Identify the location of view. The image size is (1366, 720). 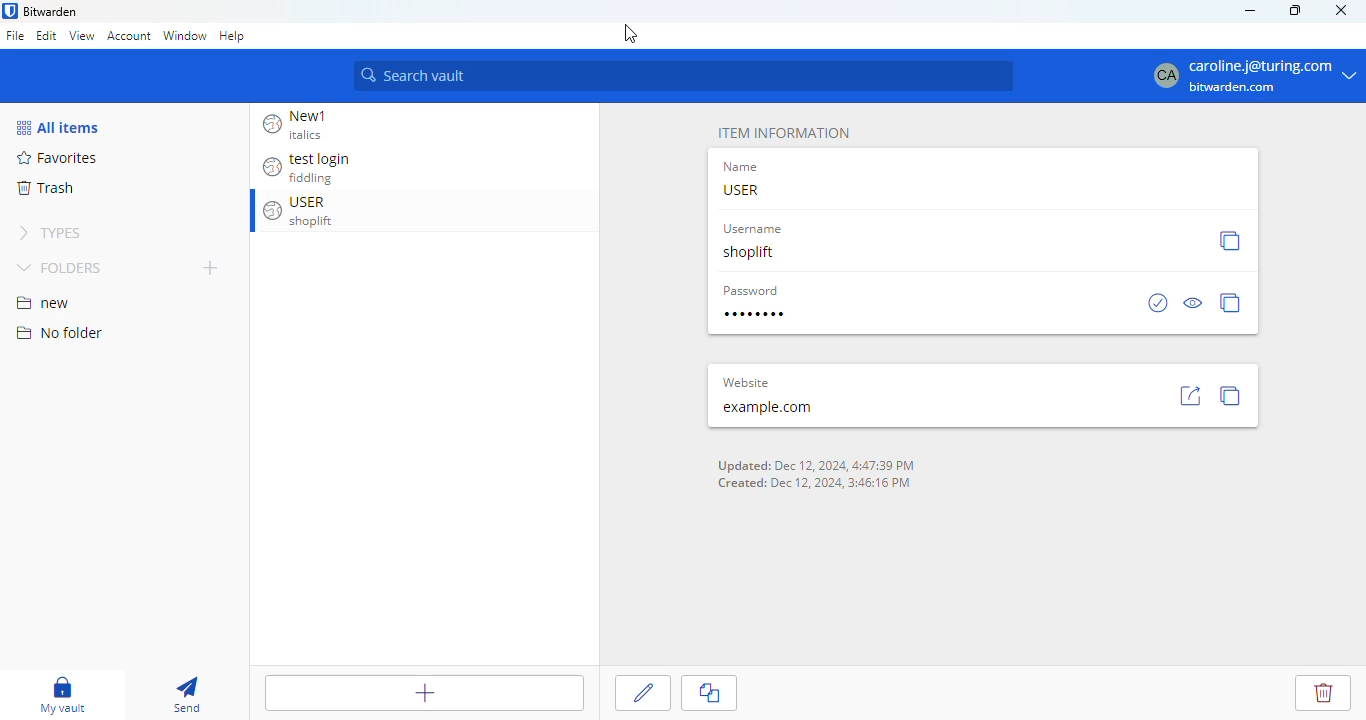
(1195, 303).